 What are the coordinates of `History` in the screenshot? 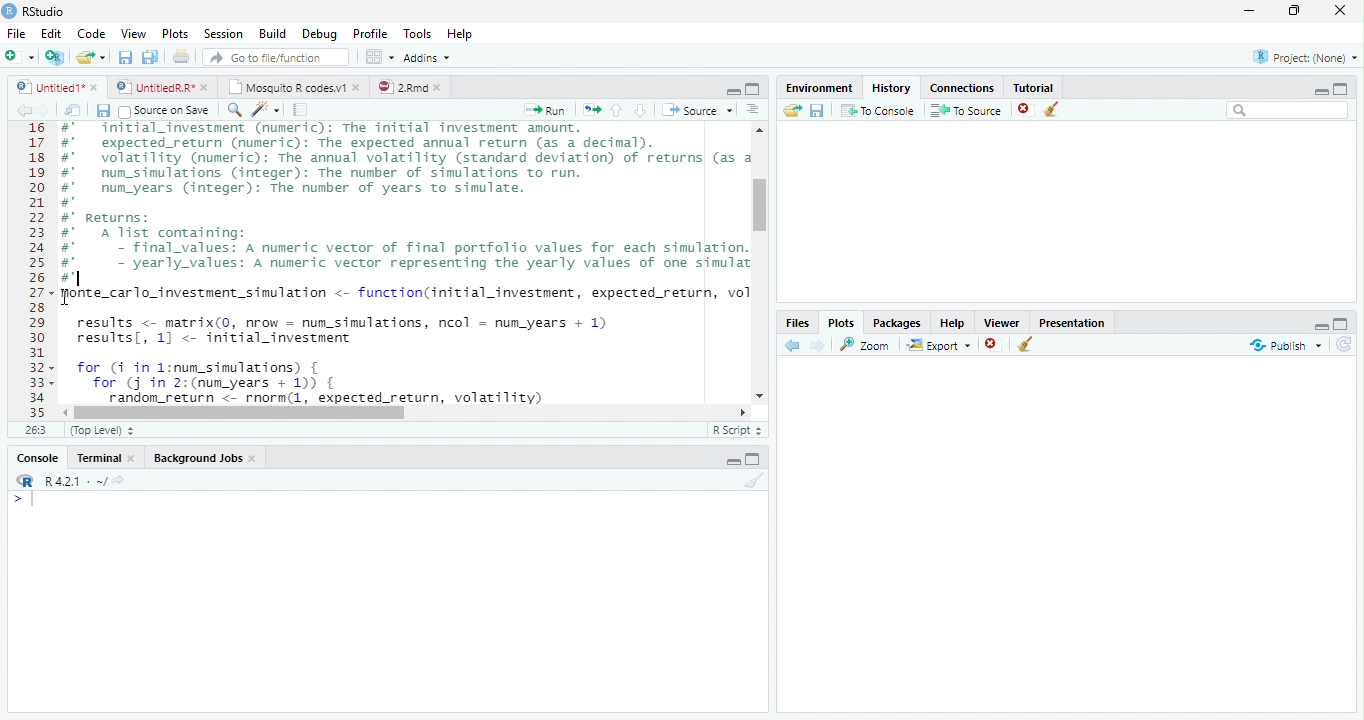 It's located at (890, 86).